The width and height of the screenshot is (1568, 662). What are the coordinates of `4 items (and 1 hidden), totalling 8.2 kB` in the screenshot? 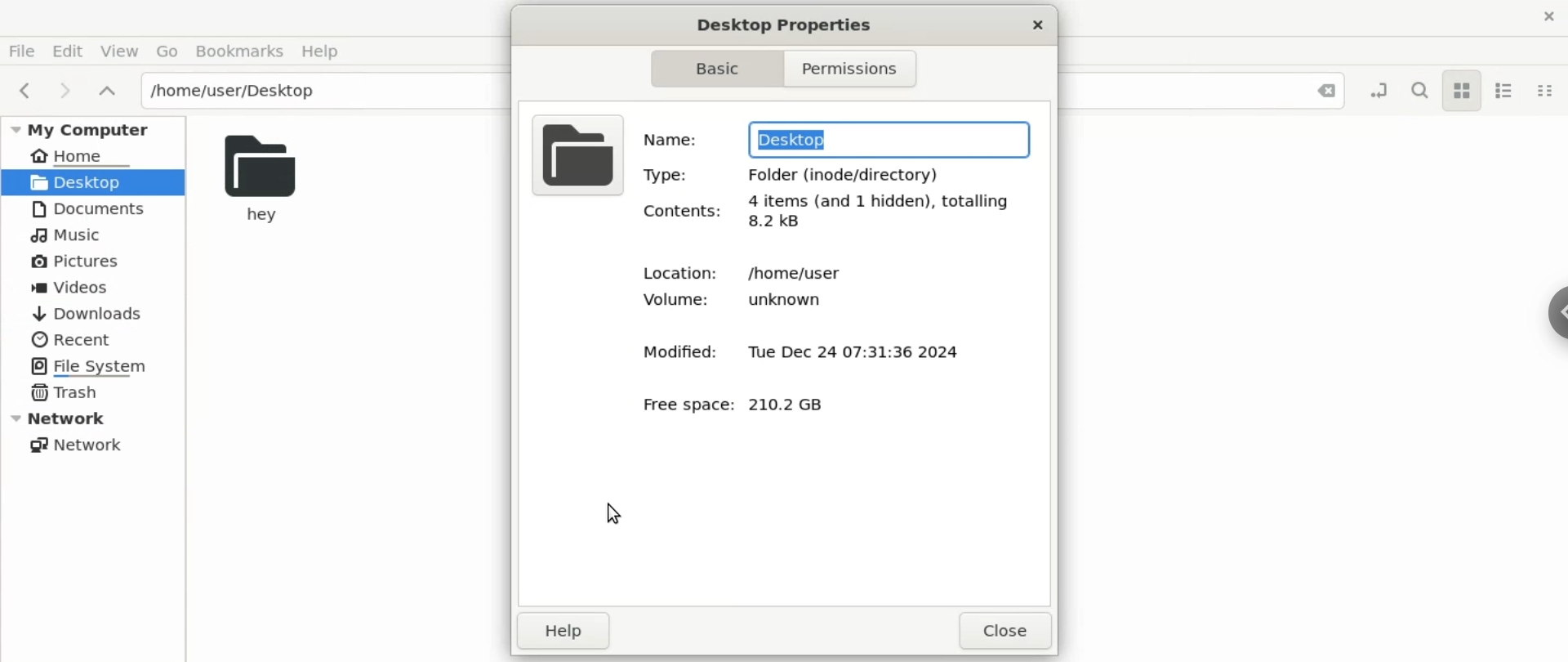 It's located at (880, 213).